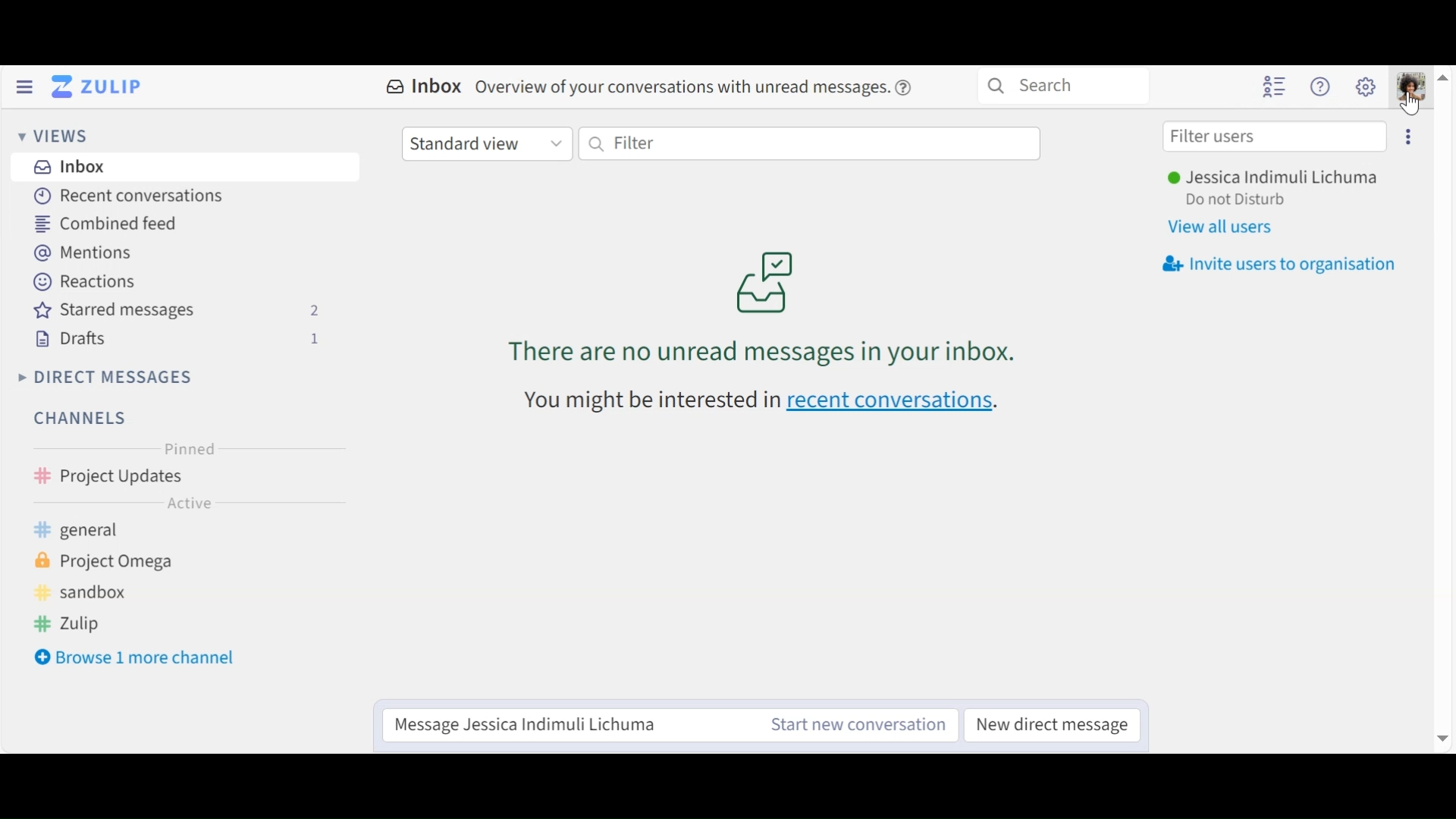 This screenshot has width=1456, height=819. Describe the element at coordinates (854, 726) in the screenshot. I see `Start new conversation` at that location.